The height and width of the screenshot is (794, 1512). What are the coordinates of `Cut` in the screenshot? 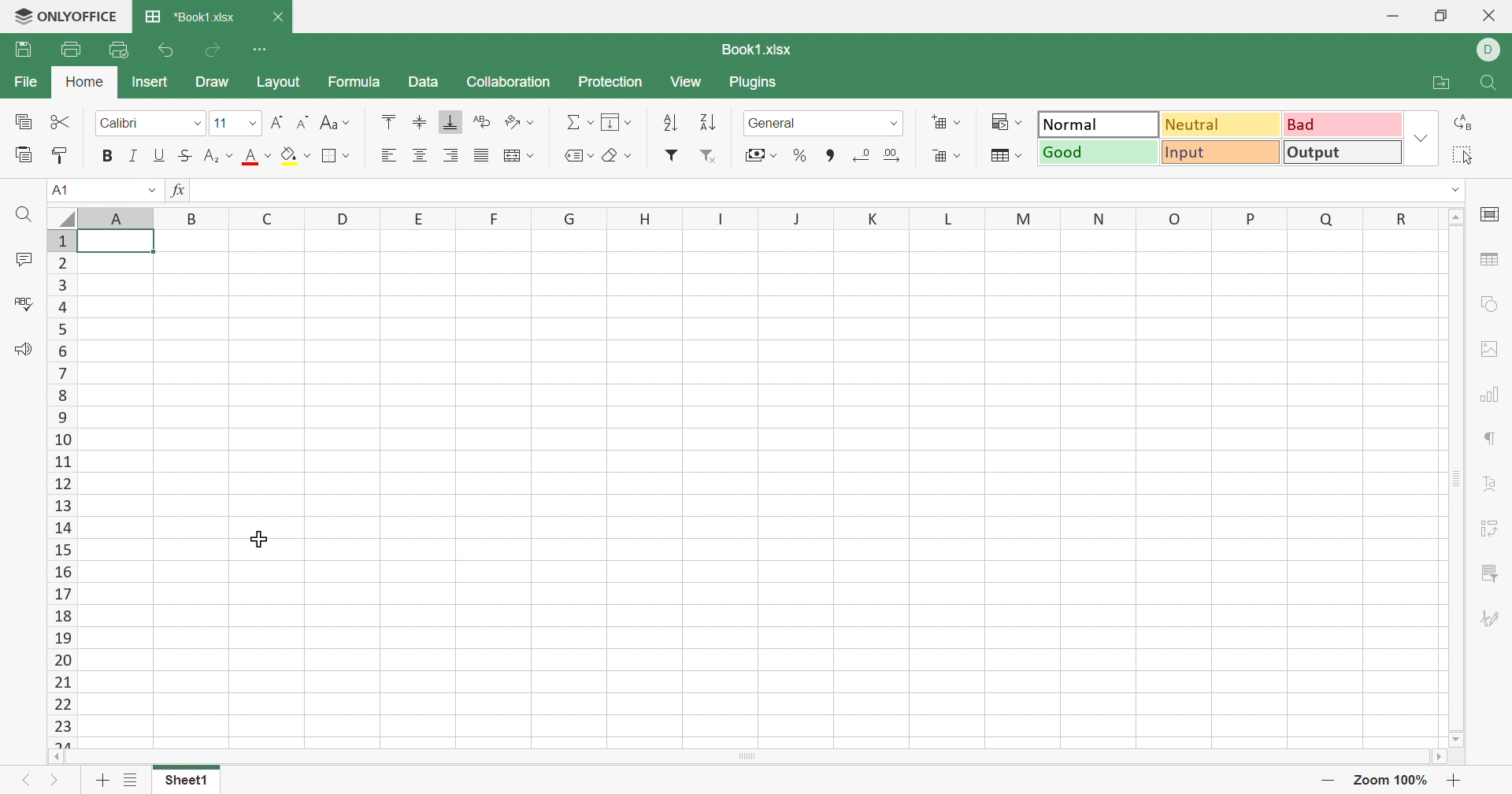 It's located at (61, 121).